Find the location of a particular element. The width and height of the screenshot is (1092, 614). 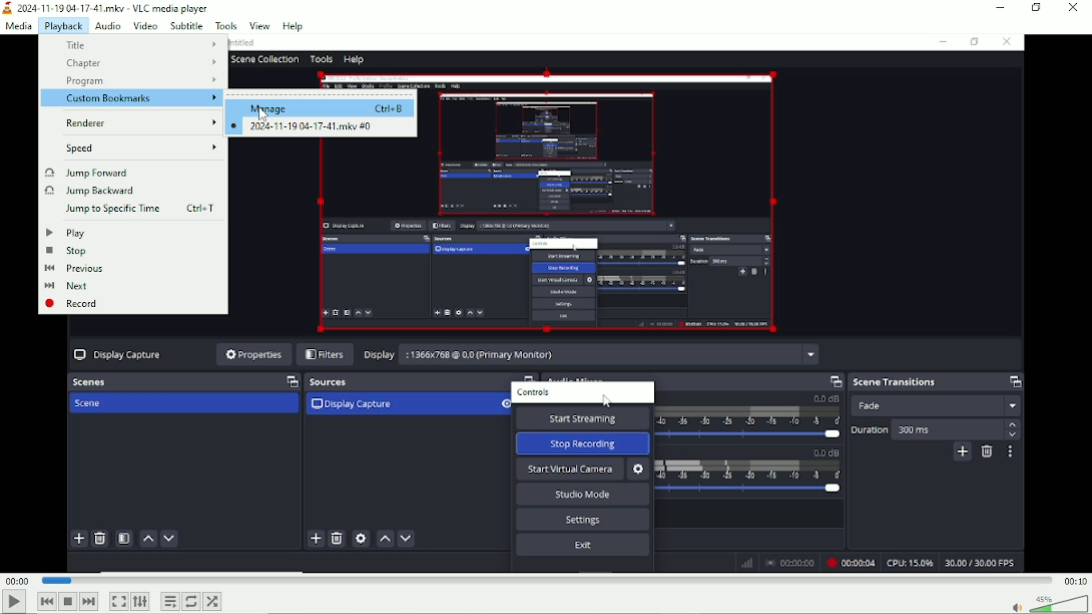

Minimize is located at coordinates (998, 7).